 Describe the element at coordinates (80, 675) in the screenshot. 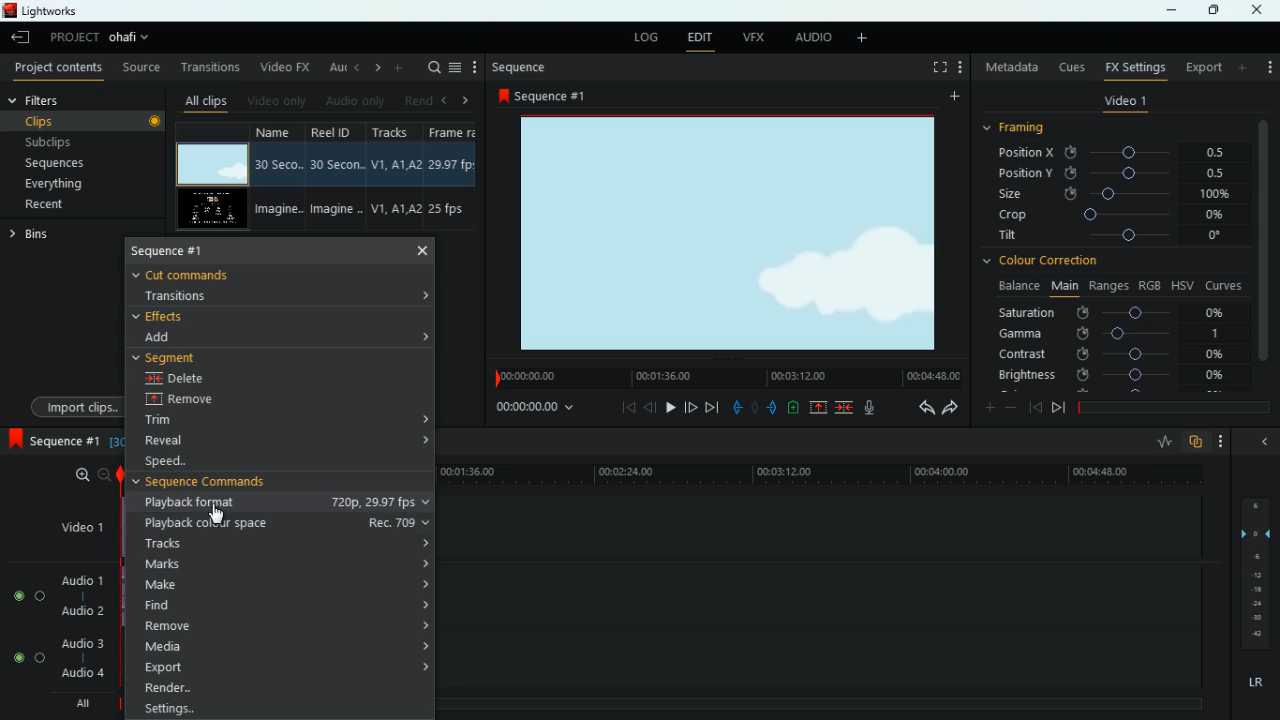

I see `audio 4` at that location.